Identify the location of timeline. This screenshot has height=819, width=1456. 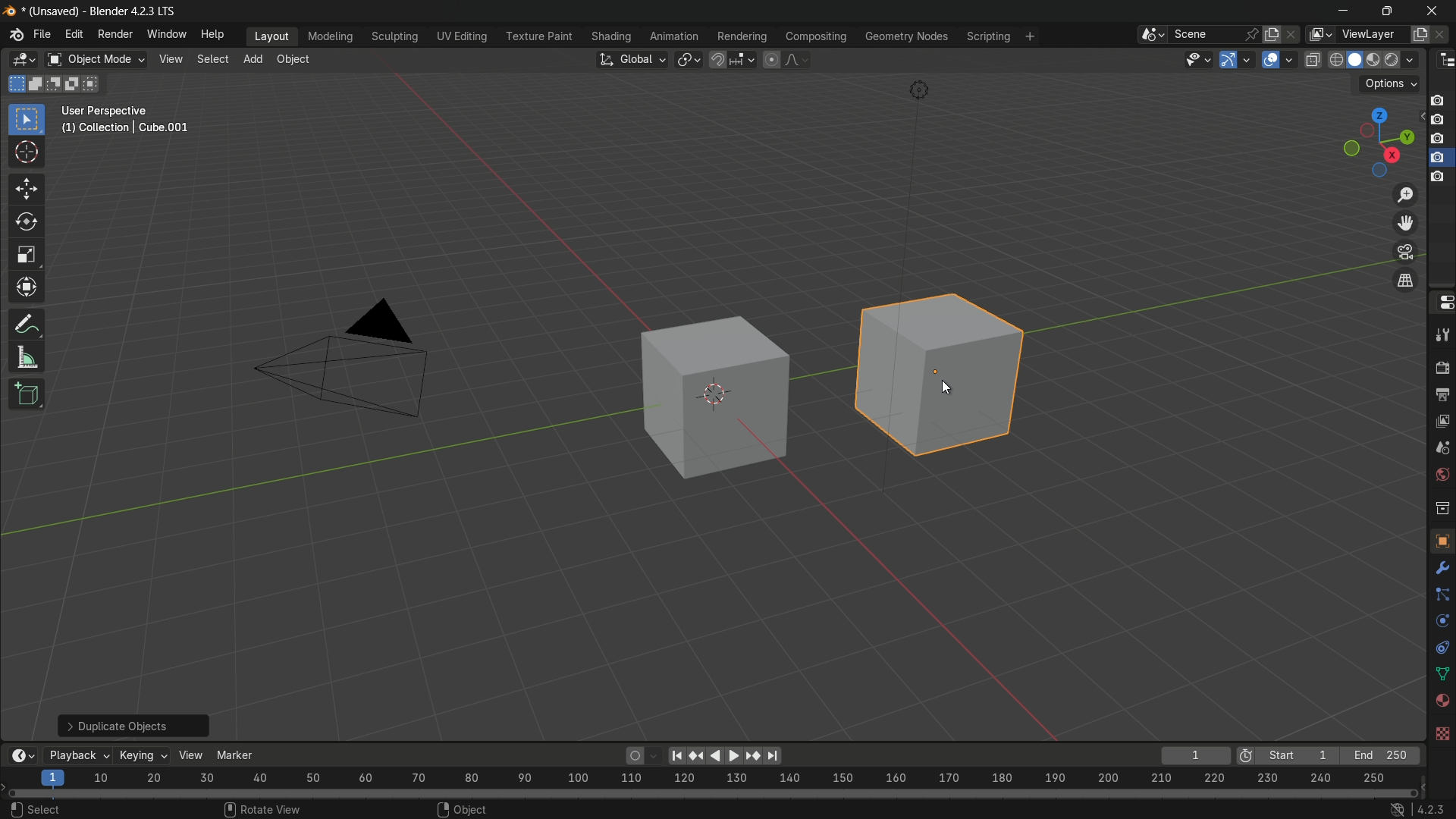
(22, 755).